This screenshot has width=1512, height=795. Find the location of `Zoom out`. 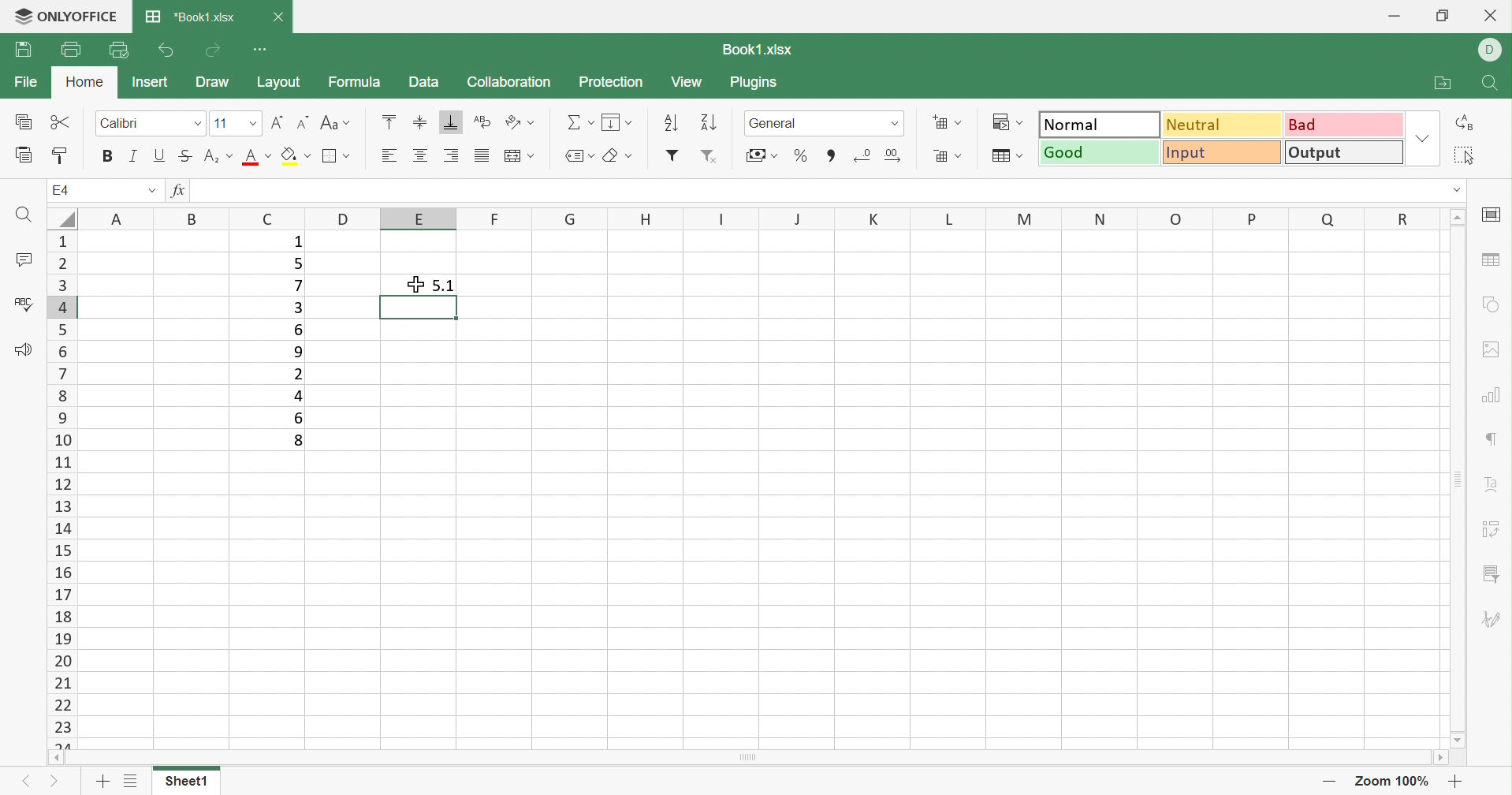

Zoom out is located at coordinates (1330, 782).